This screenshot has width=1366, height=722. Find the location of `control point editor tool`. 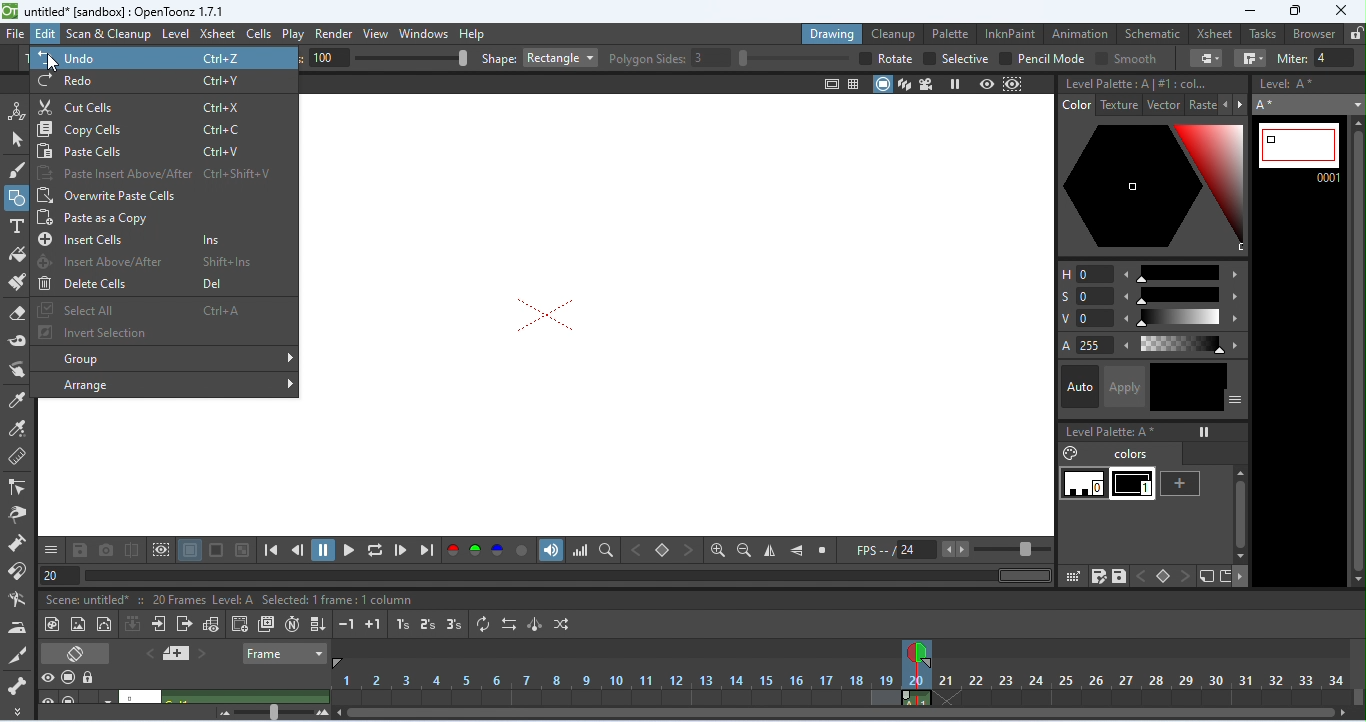

control point editor tool is located at coordinates (18, 487).